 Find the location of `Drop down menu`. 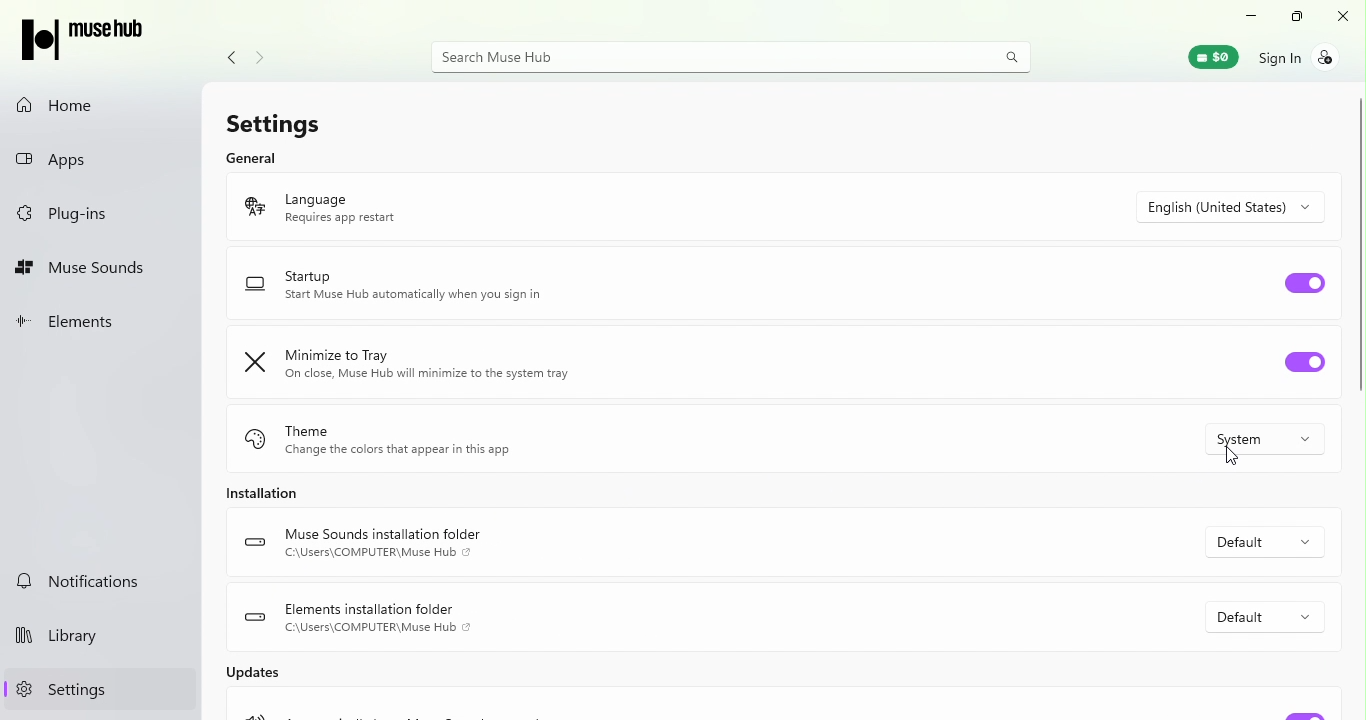

Drop down menu is located at coordinates (1270, 438).